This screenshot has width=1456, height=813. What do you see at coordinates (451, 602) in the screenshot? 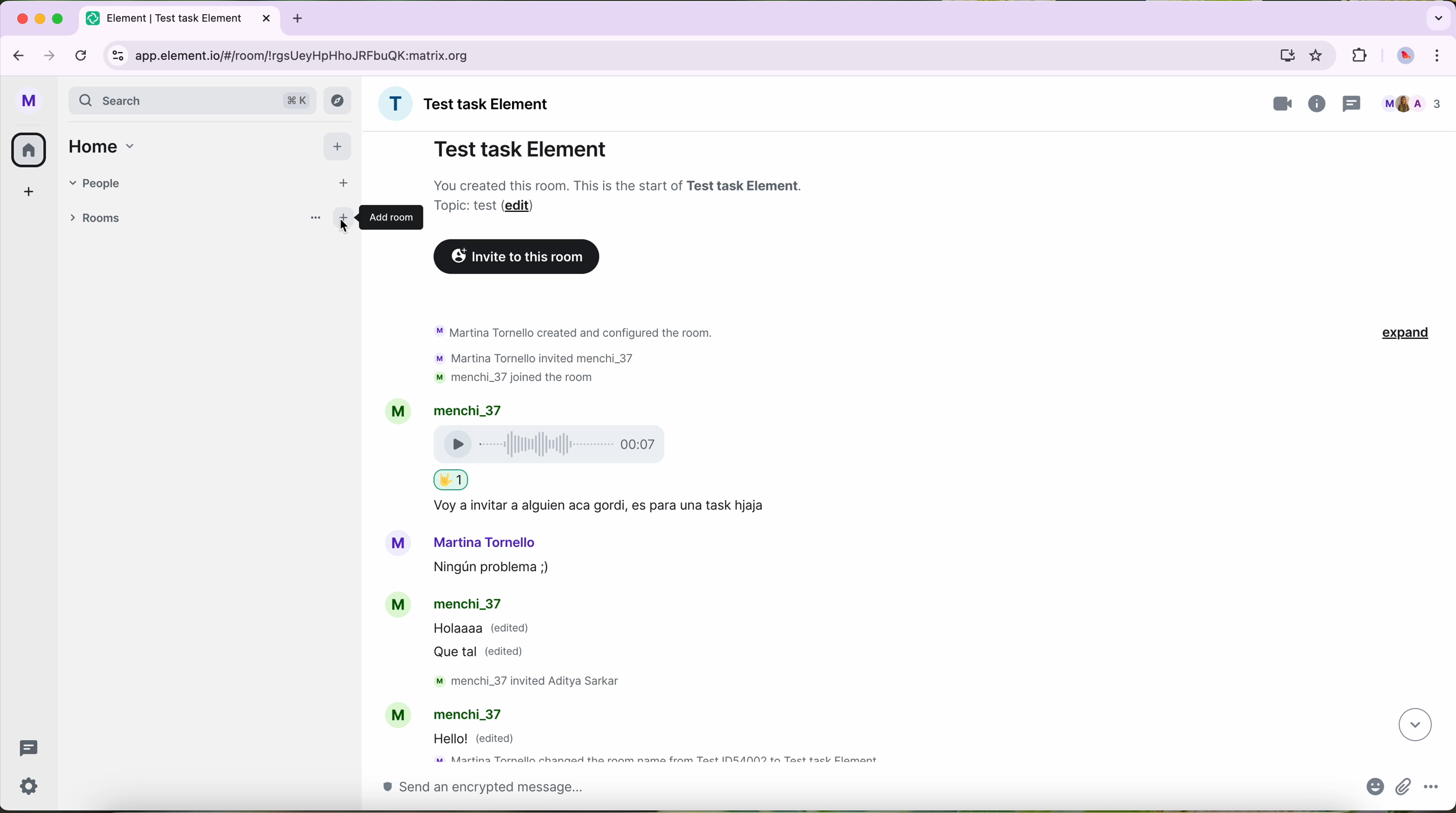
I see `account` at bounding box center [451, 602].